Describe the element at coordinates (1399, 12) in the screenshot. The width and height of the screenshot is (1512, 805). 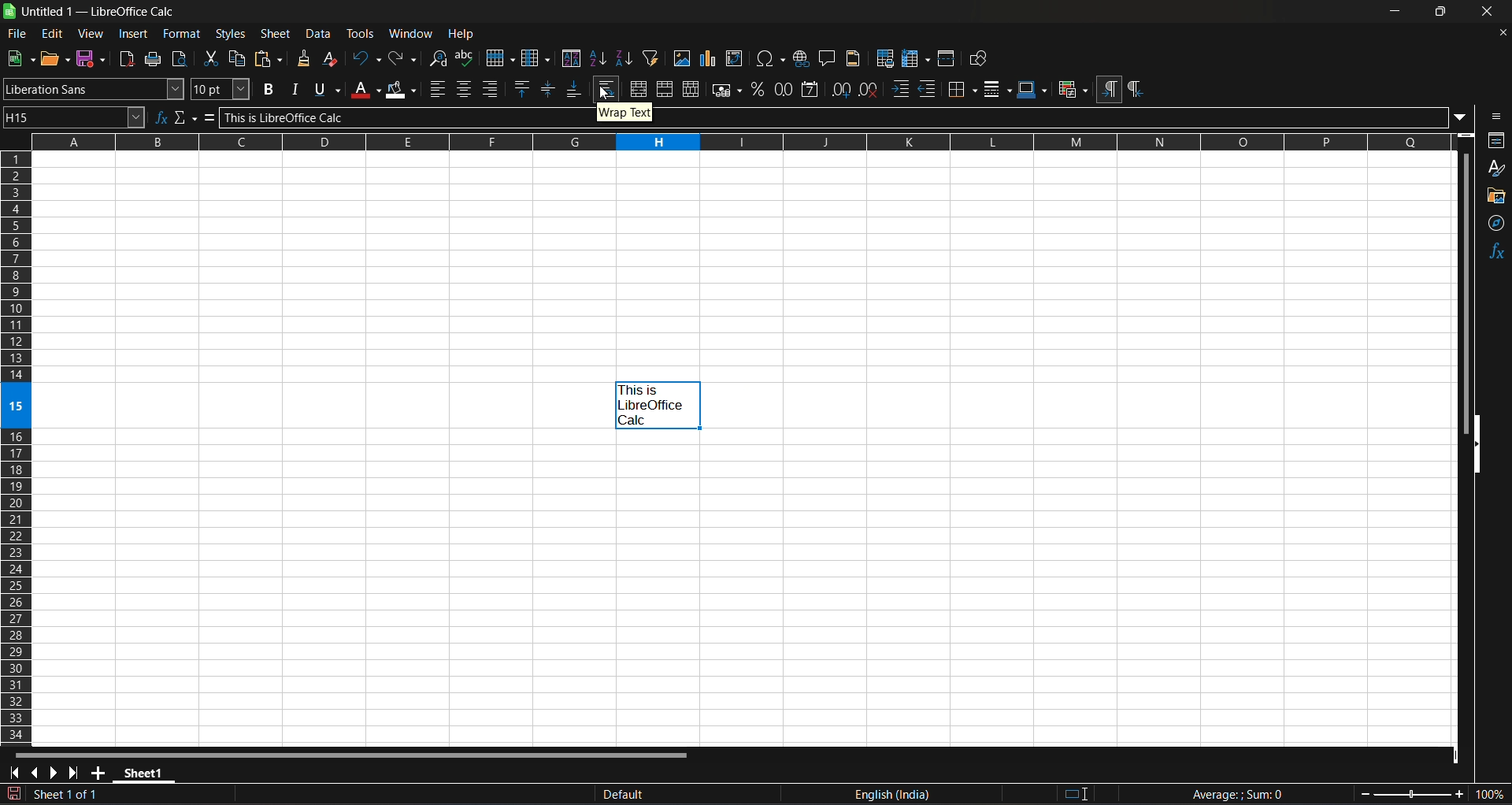
I see `minimize` at that location.